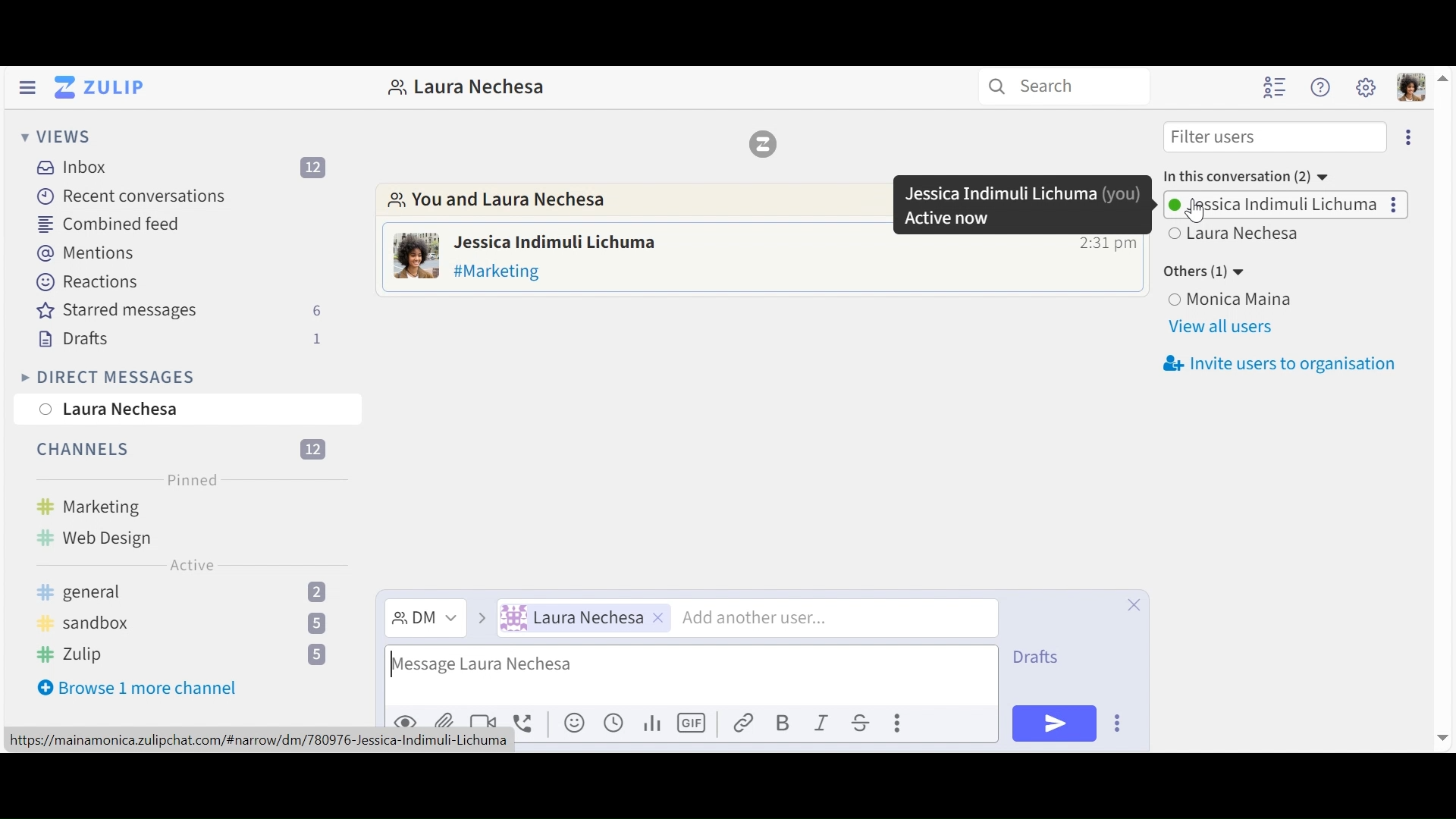  What do you see at coordinates (822, 724) in the screenshot?
I see `Italics` at bounding box center [822, 724].